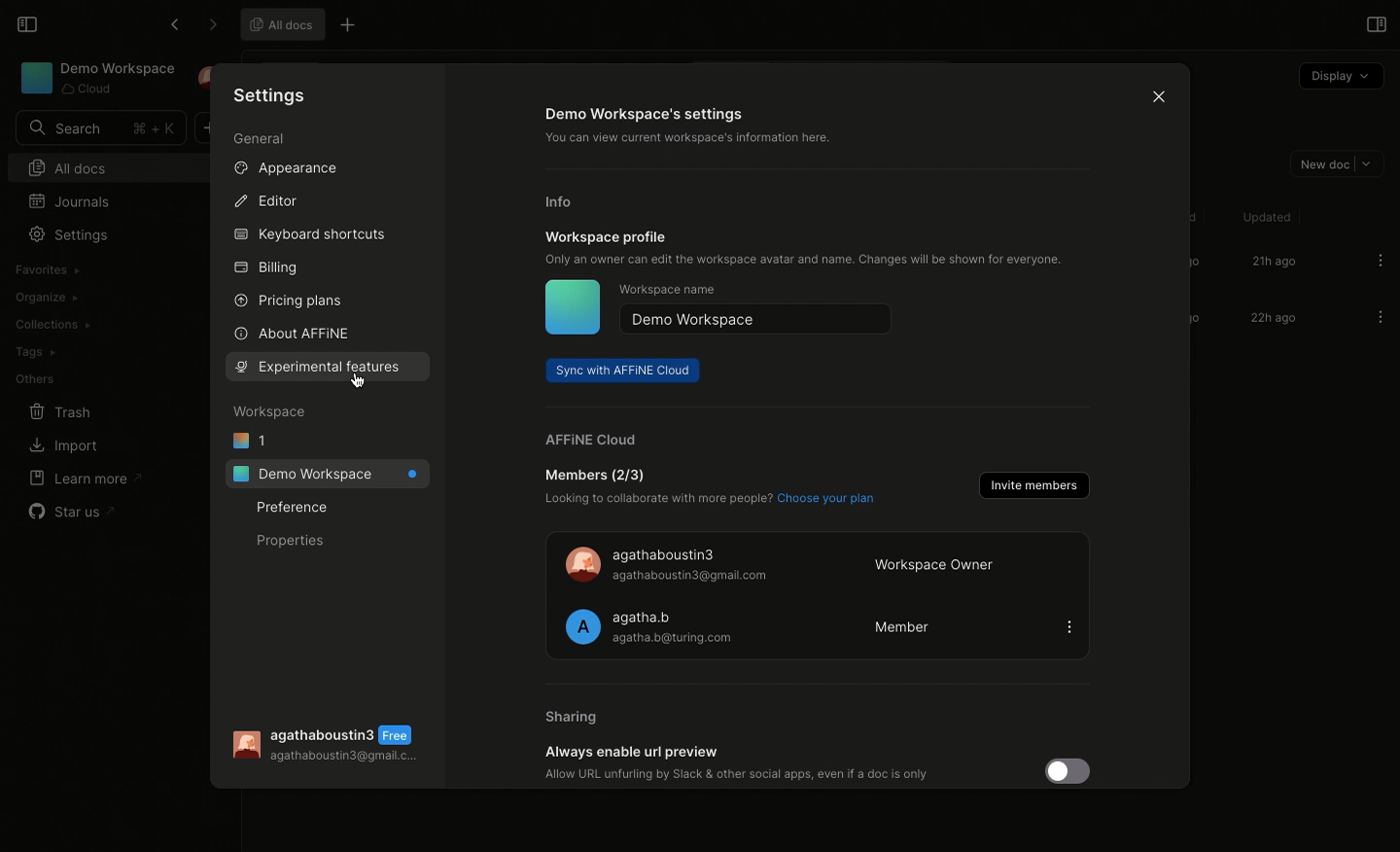 The width and height of the screenshot is (1400, 852). What do you see at coordinates (758, 320) in the screenshot?
I see `Demo workspace` at bounding box center [758, 320].